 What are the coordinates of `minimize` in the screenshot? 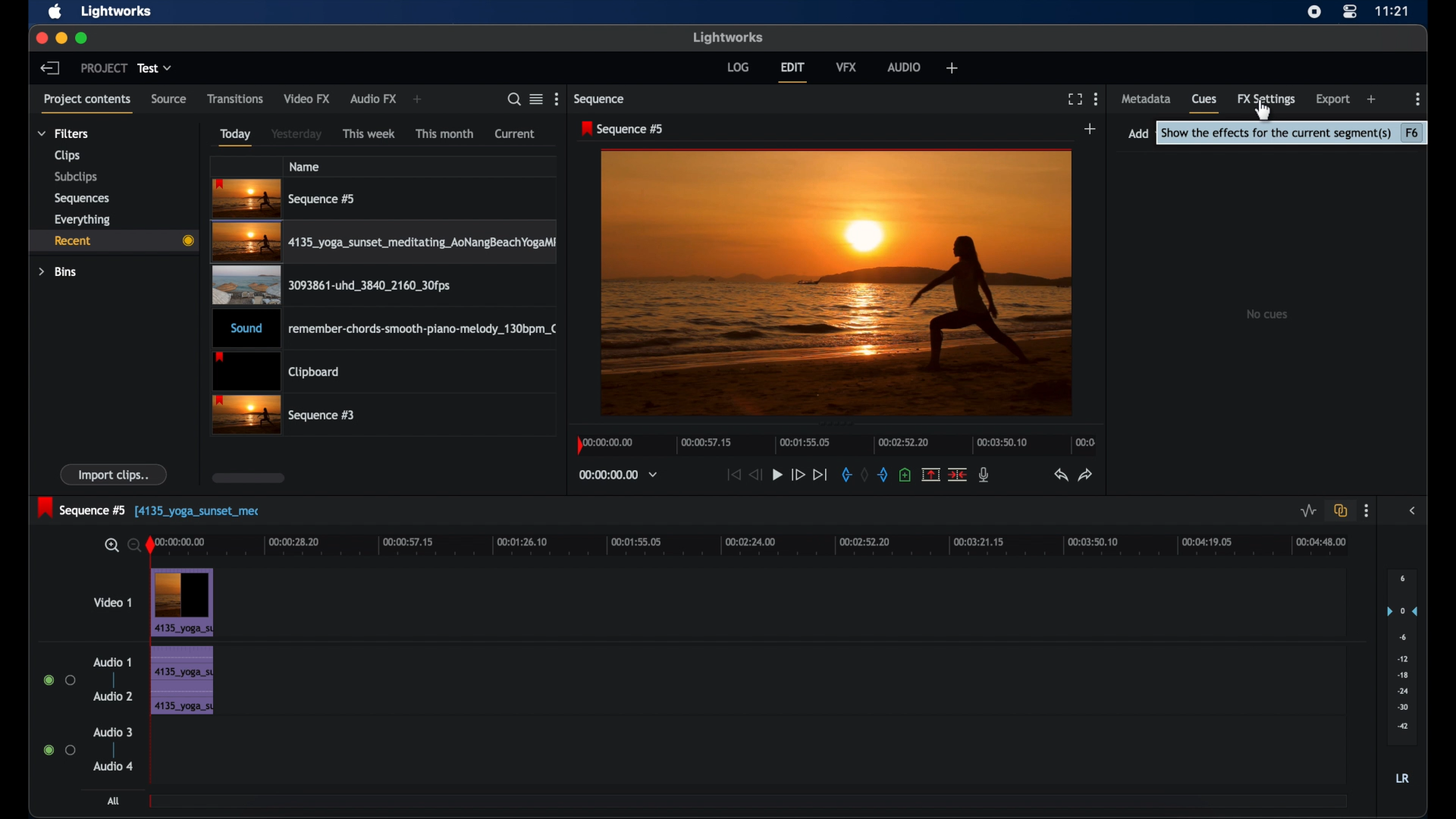 It's located at (63, 38).